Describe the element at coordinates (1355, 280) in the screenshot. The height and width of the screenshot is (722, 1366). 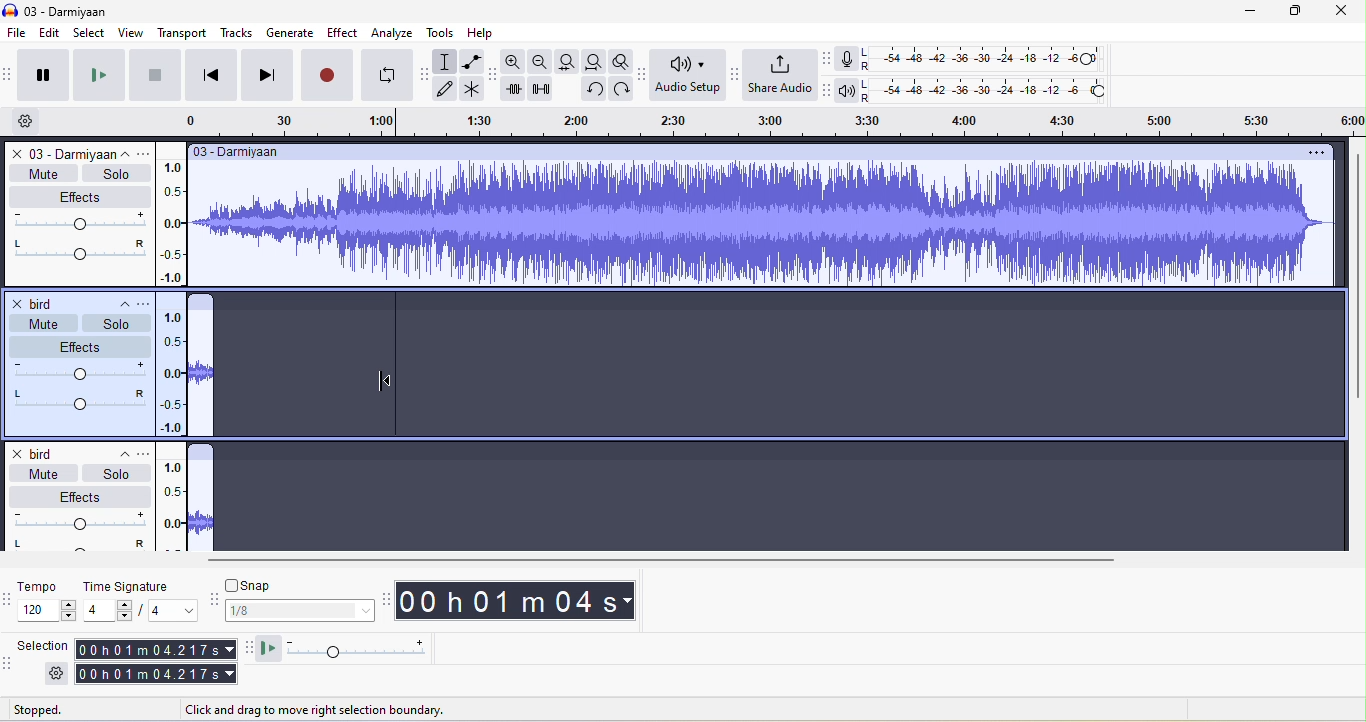
I see `vertical scroll bar` at that location.